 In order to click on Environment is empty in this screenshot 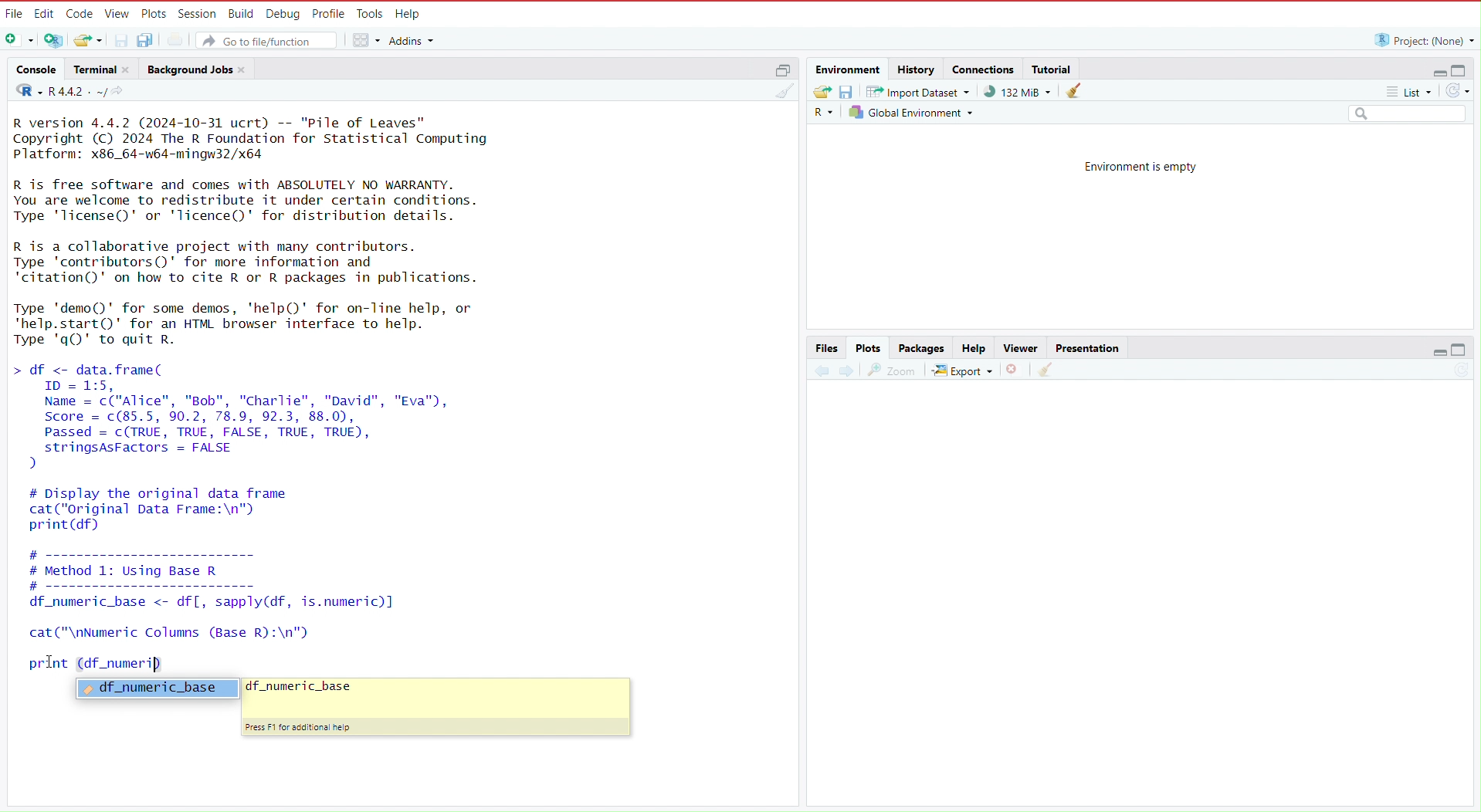, I will do `click(1140, 169)`.